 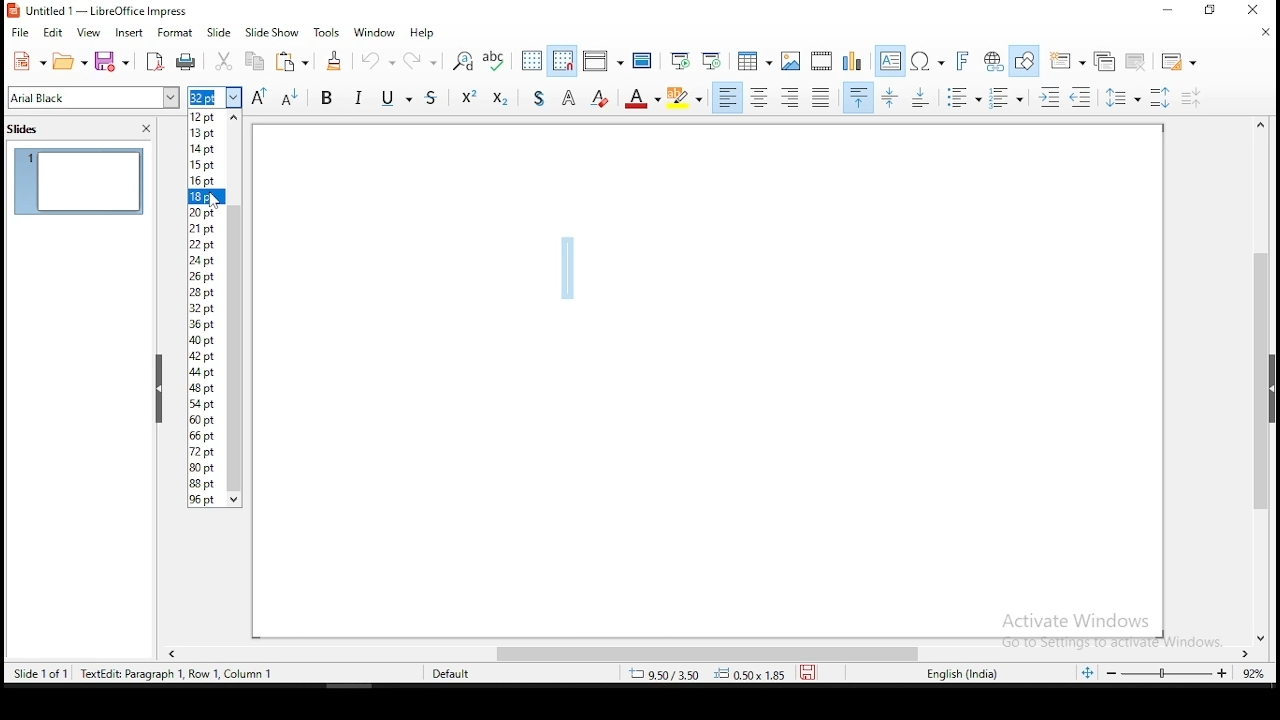 What do you see at coordinates (495, 61) in the screenshot?
I see `spell check` at bounding box center [495, 61].